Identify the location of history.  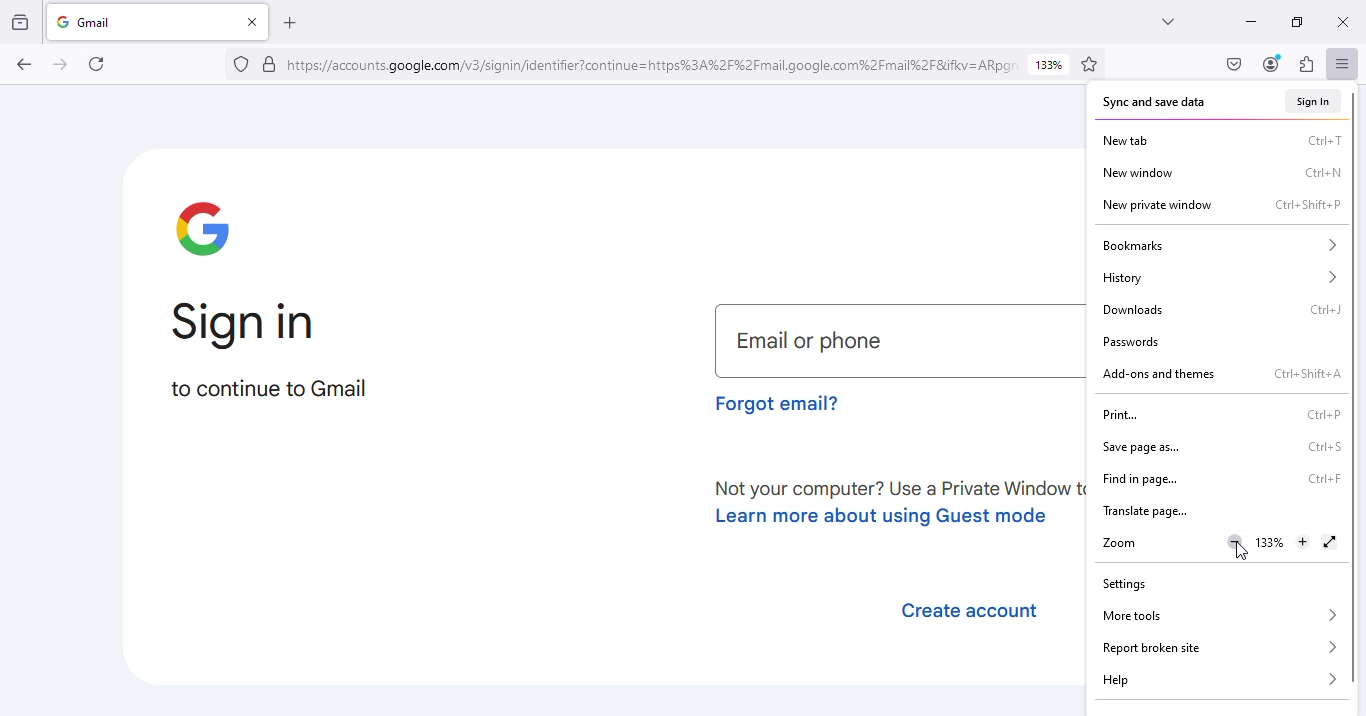
(1219, 278).